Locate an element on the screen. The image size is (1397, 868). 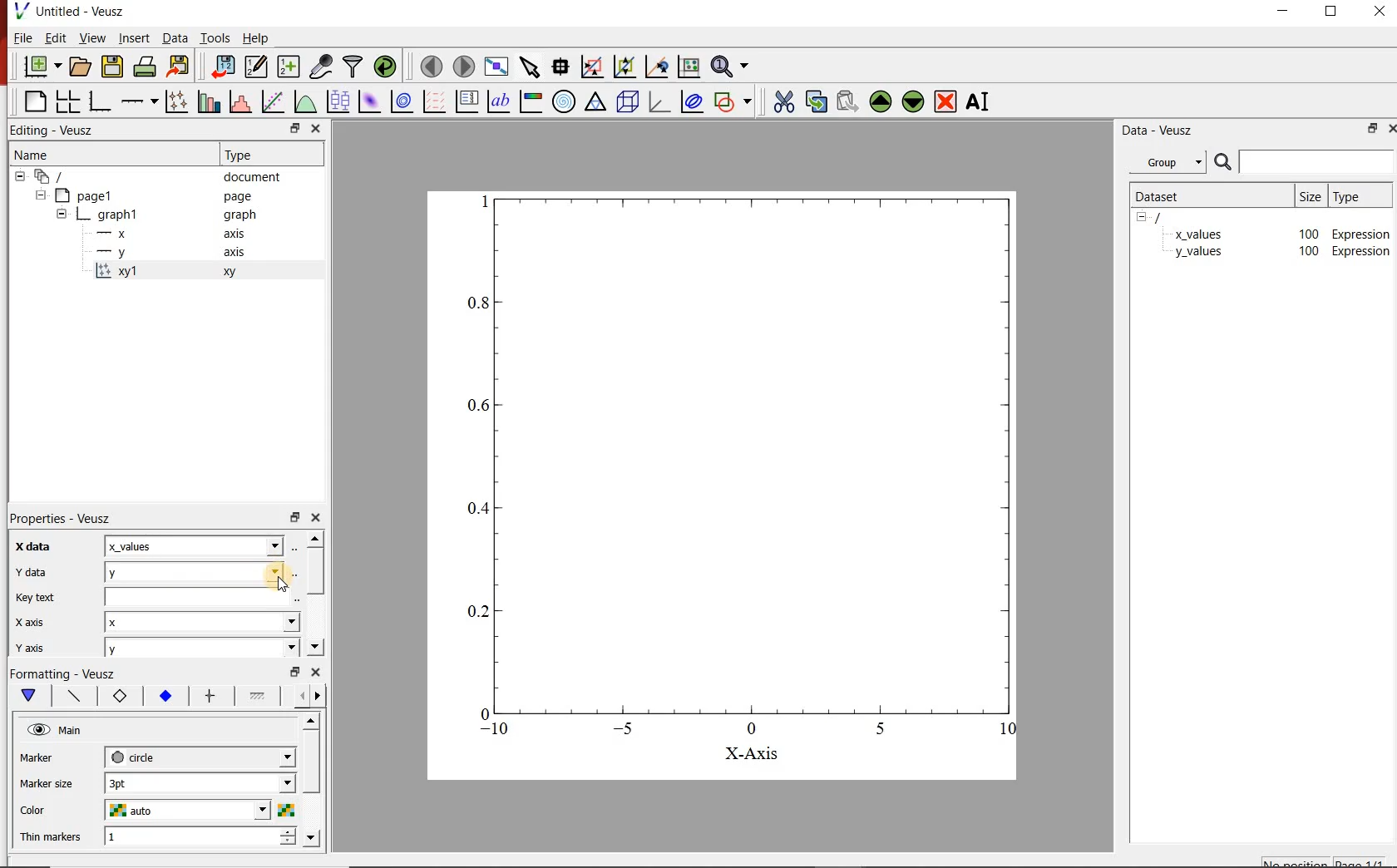
hide main is located at coordinates (57, 730).